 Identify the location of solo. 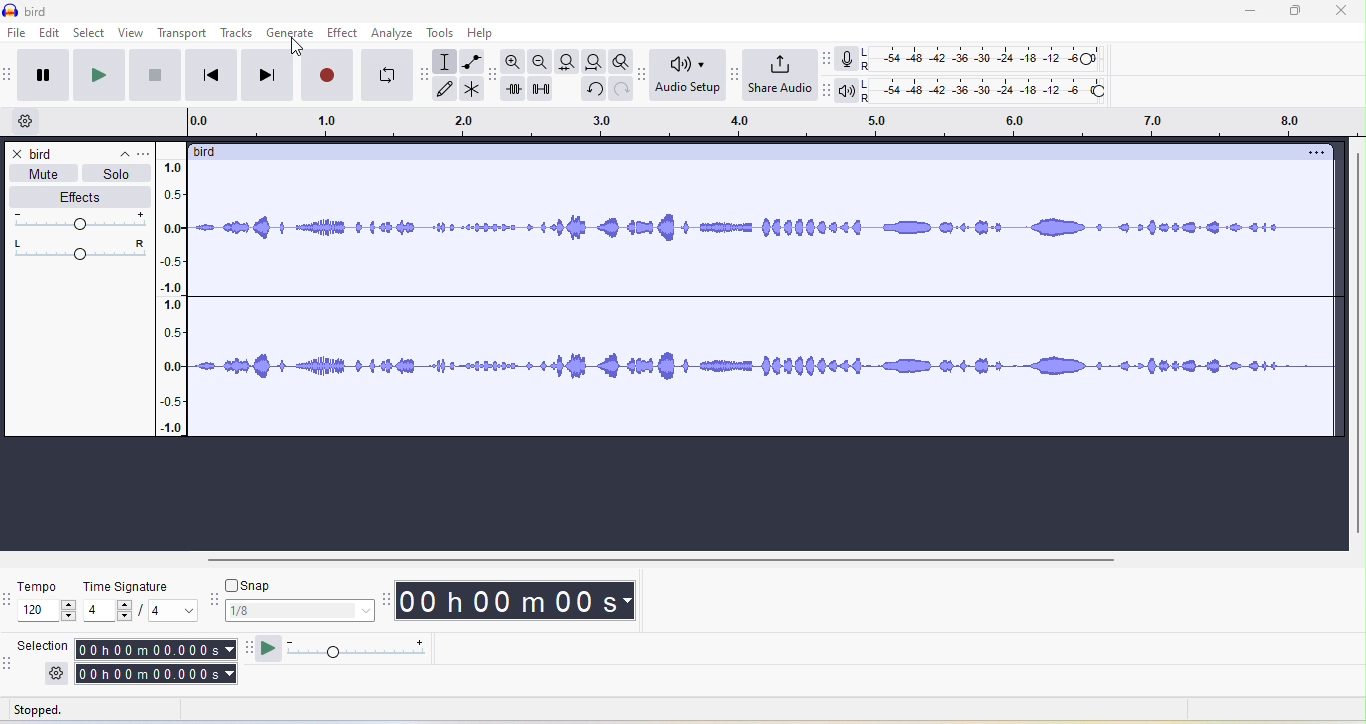
(115, 175).